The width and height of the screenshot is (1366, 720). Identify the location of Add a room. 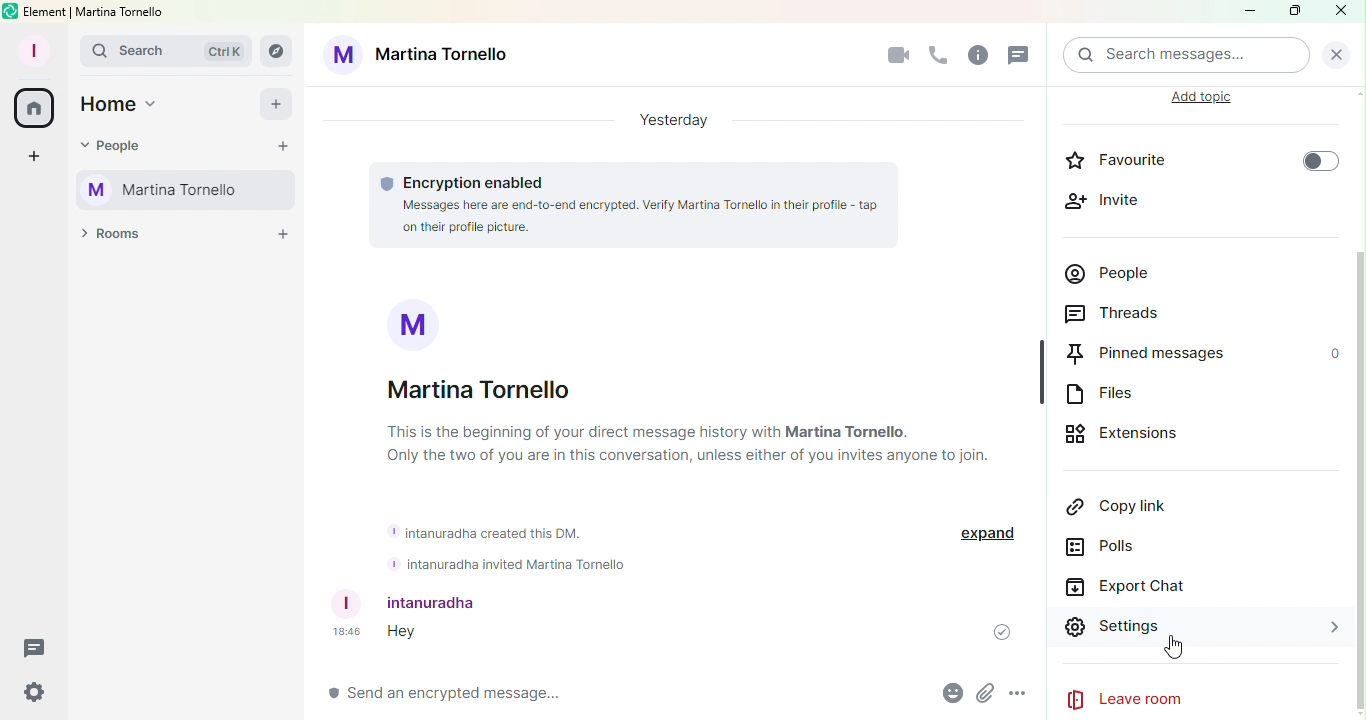
(287, 239).